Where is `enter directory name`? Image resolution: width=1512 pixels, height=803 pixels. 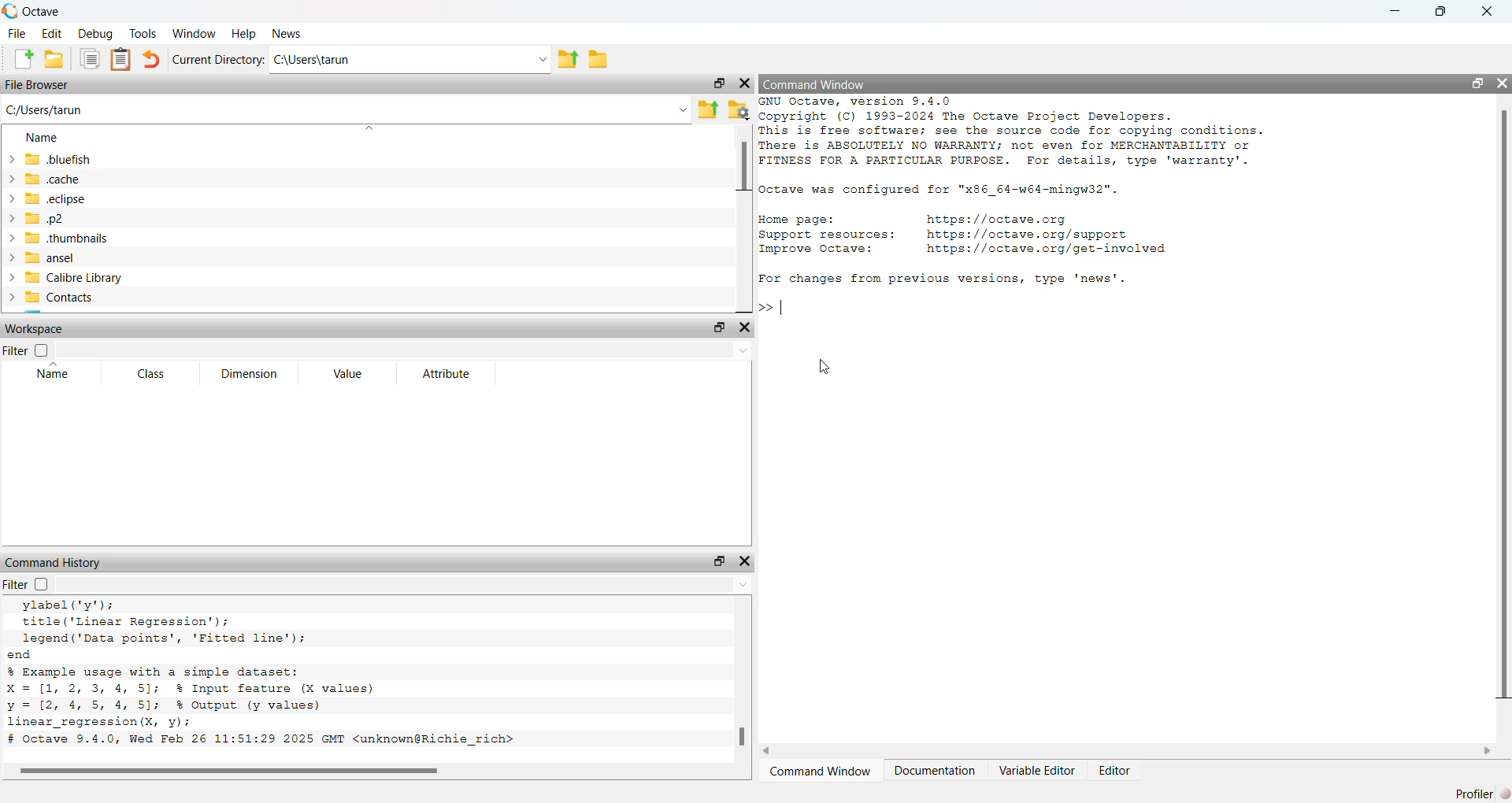
enter directory name is located at coordinates (413, 60).